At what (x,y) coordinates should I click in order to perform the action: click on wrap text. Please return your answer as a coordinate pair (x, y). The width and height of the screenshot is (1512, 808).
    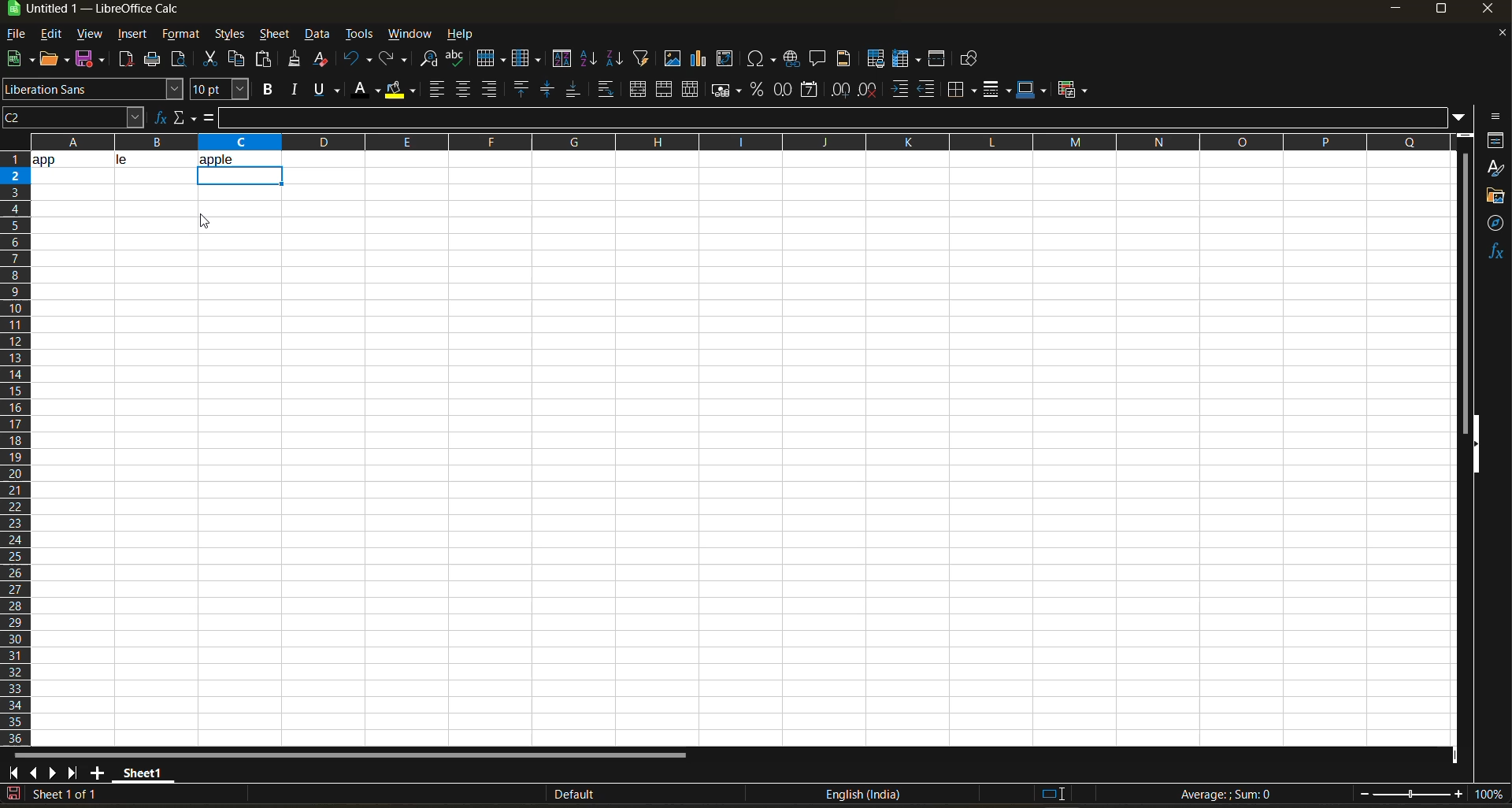
    Looking at the image, I should click on (605, 91).